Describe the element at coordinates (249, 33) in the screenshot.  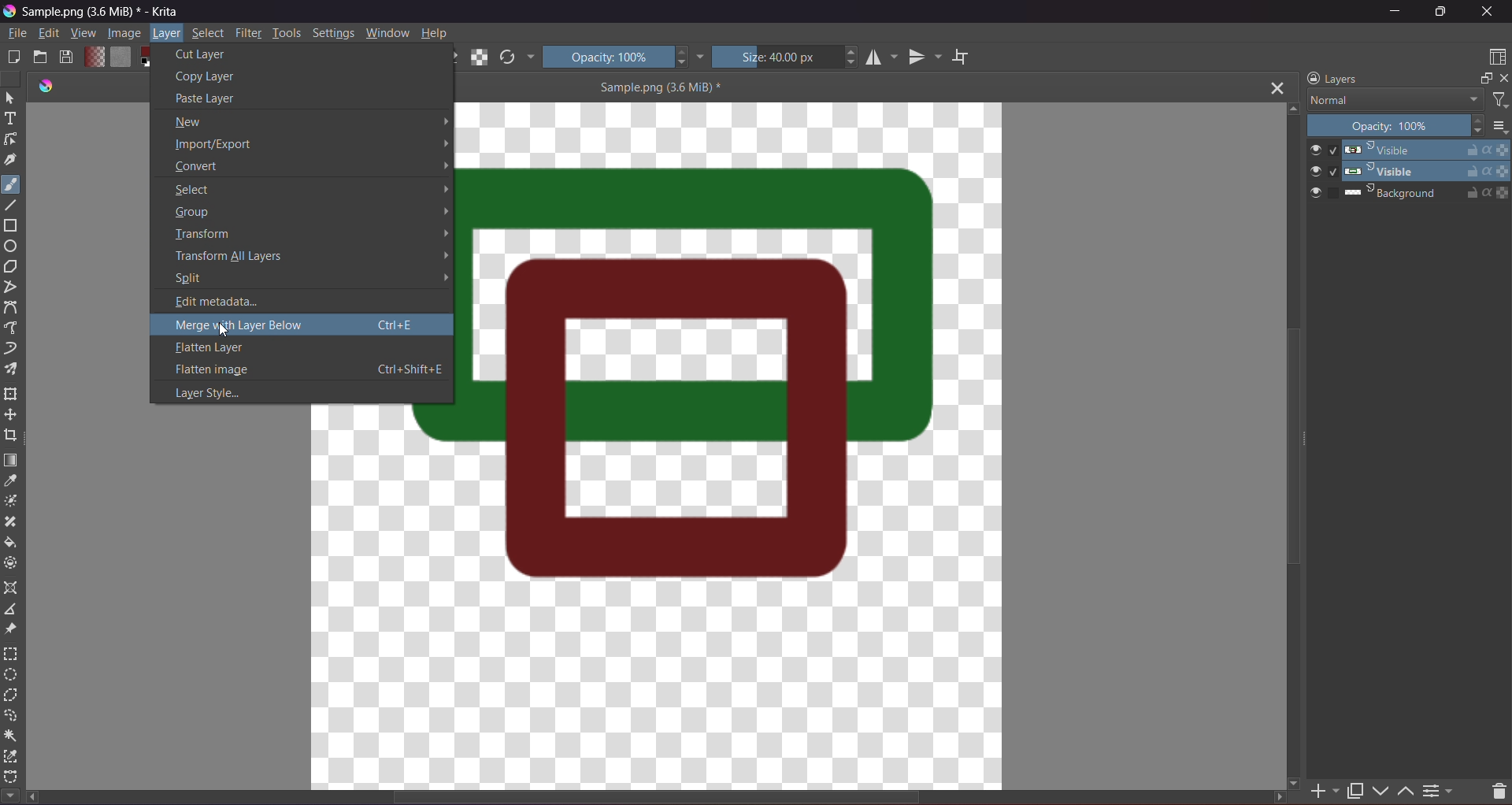
I see `Filter` at that location.